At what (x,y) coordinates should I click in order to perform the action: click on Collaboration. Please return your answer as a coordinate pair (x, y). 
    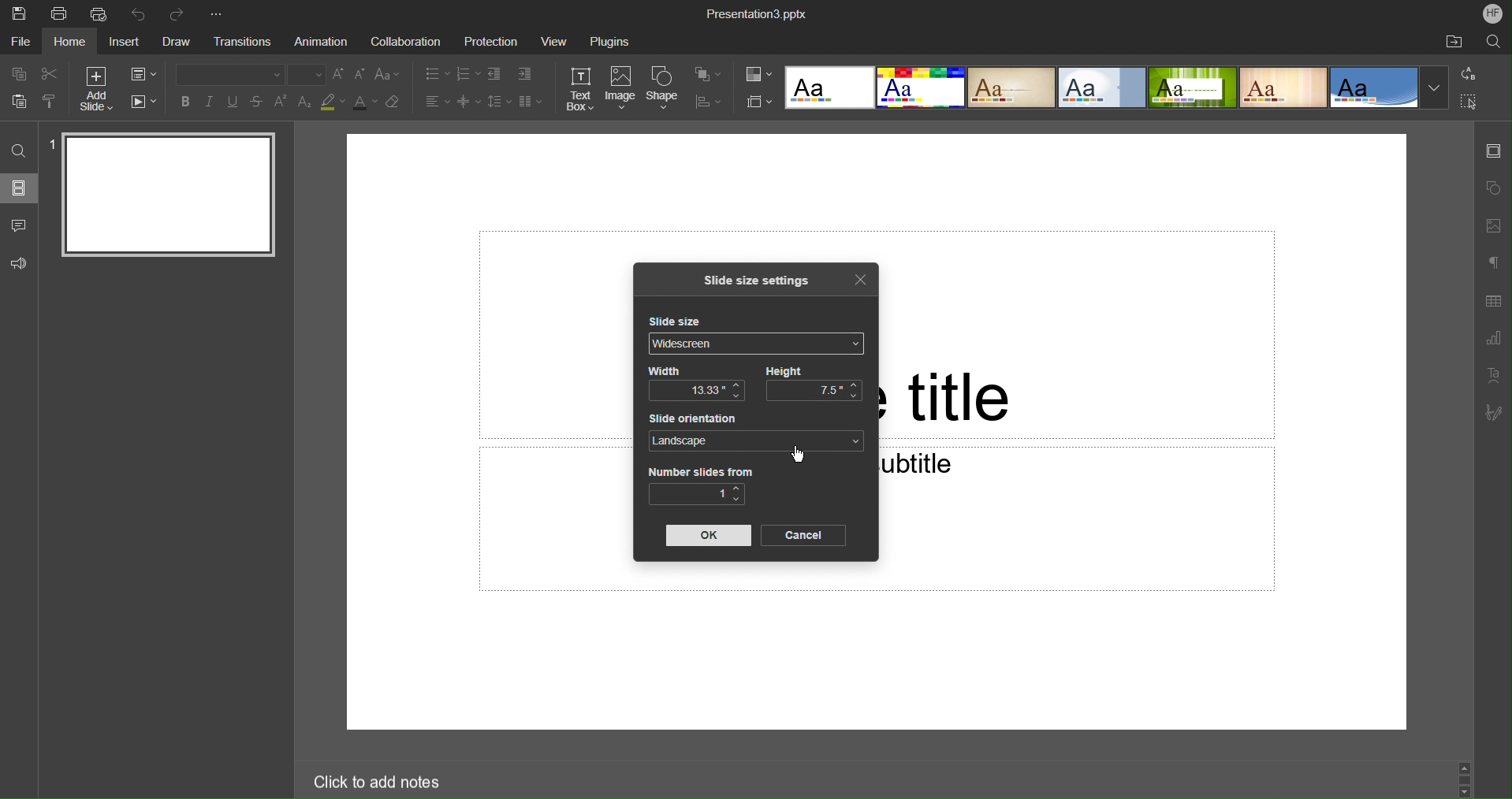
    Looking at the image, I should click on (406, 43).